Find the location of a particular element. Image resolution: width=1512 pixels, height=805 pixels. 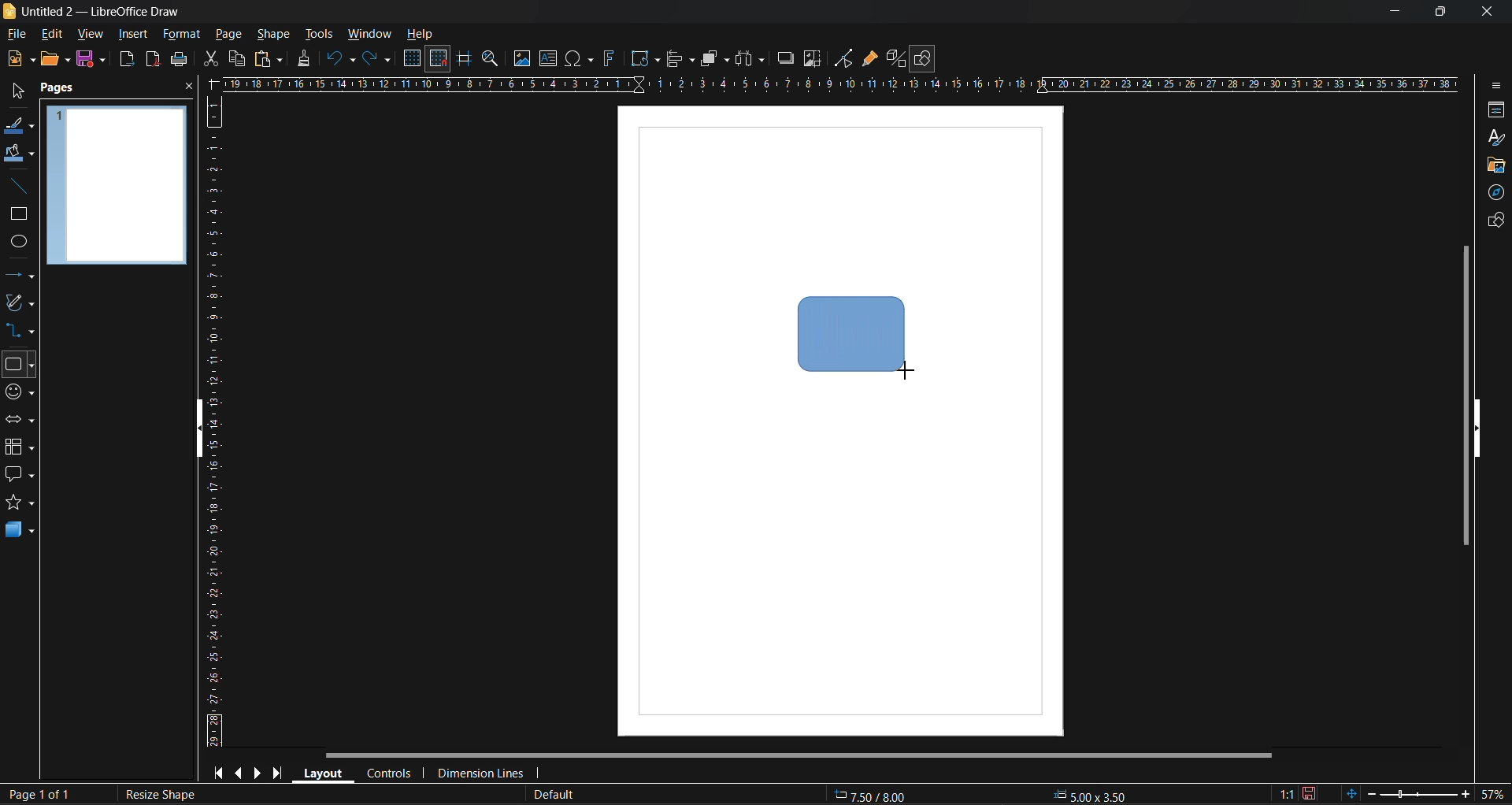

callout shapes is located at coordinates (19, 474).